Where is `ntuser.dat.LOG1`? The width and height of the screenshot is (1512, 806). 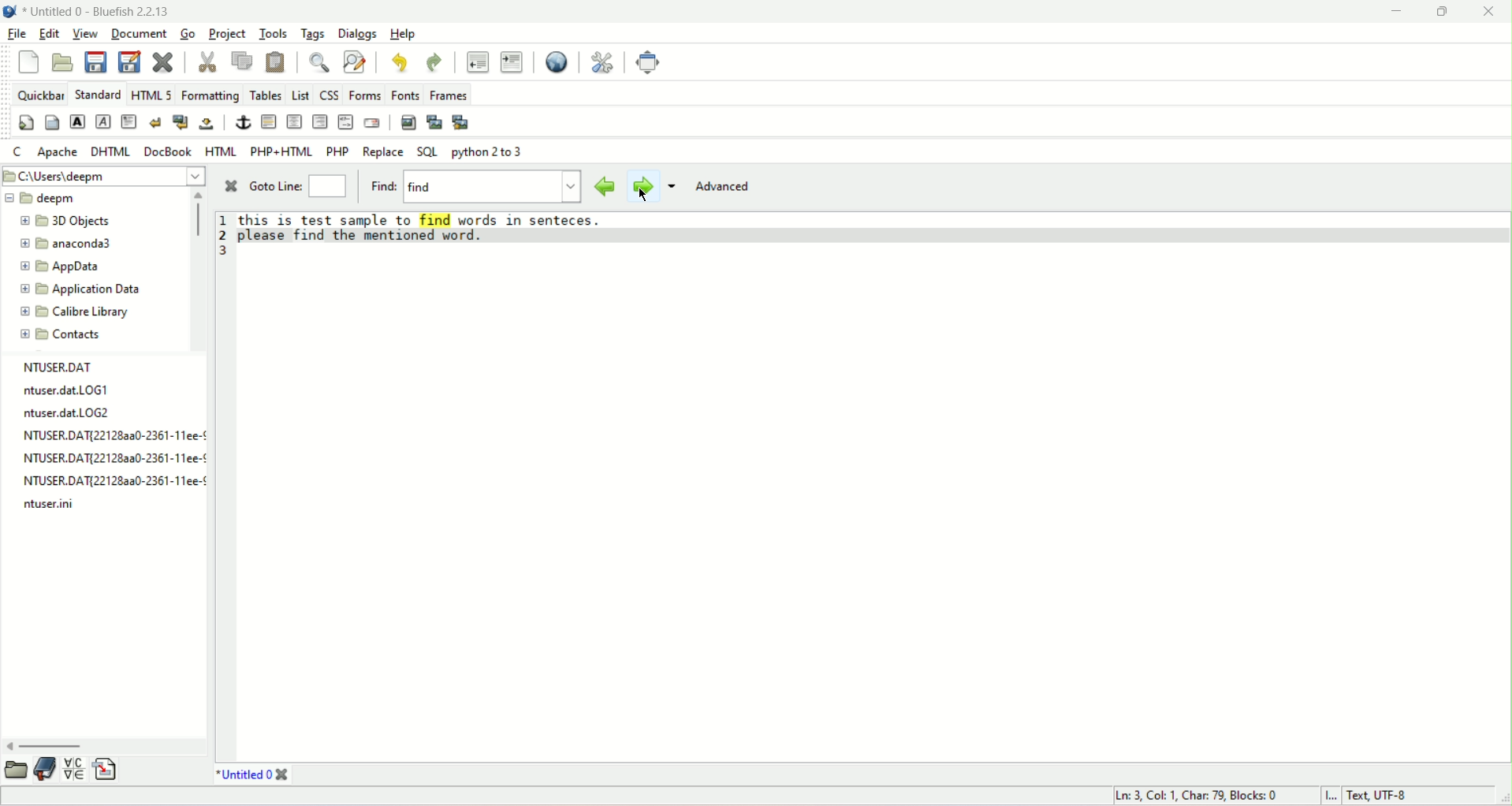 ntuser.dat.LOG1 is located at coordinates (65, 391).